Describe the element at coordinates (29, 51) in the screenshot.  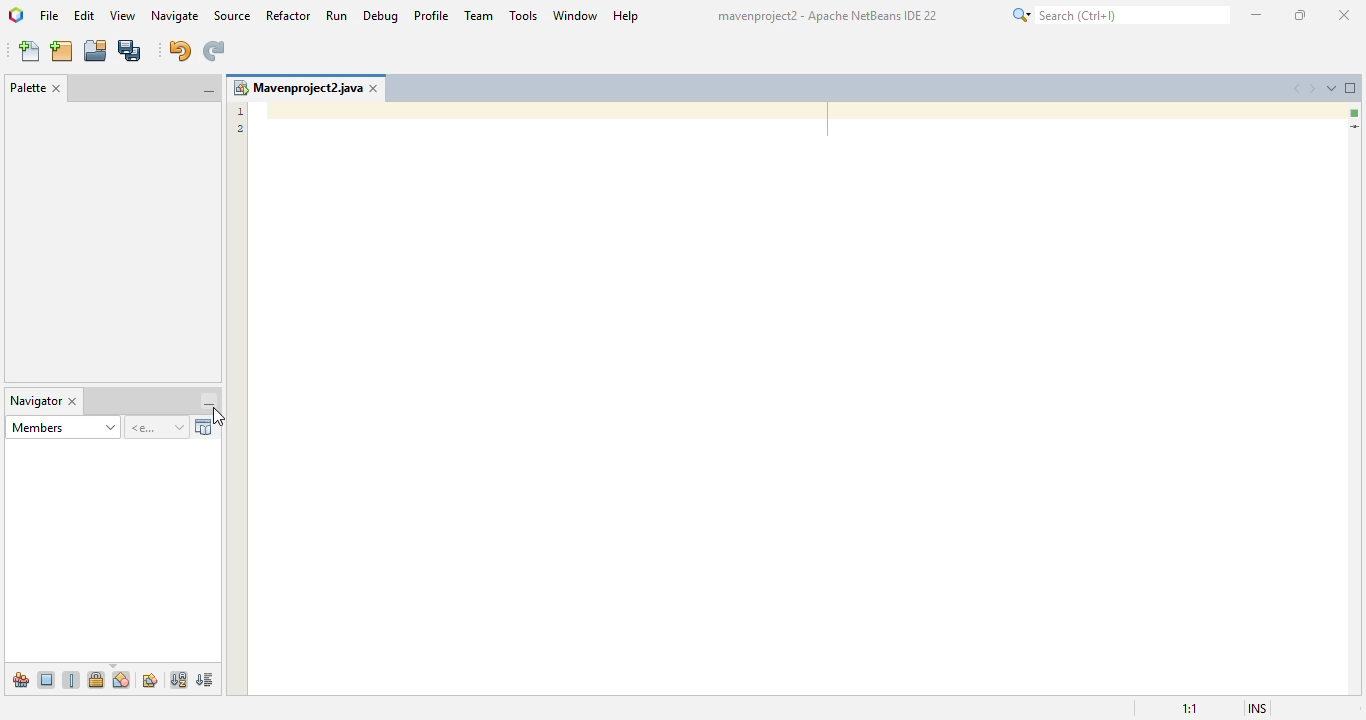
I see `new file` at that location.